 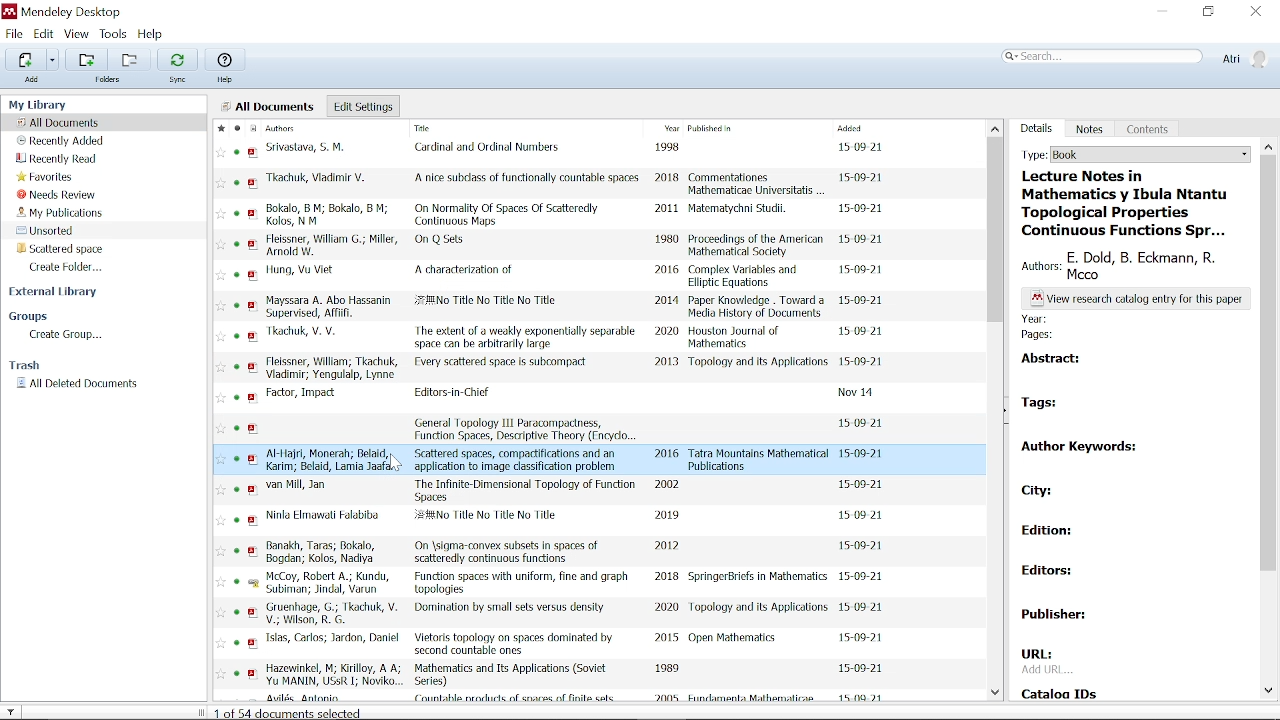 What do you see at coordinates (252, 128) in the screenshot?
I see `Document format` at bounding box center [252, 128].